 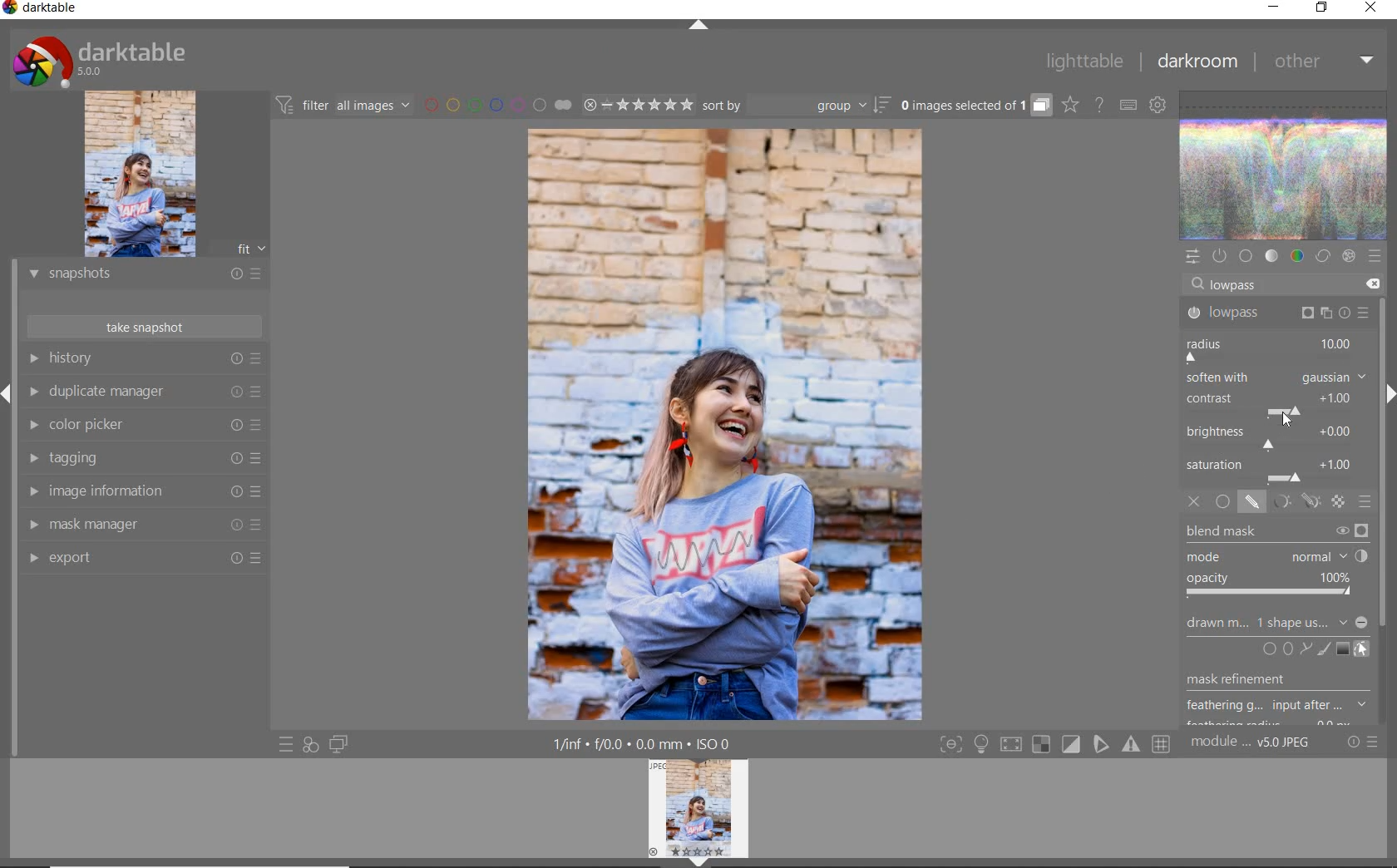 What do you see at coordinates (1370, 283) in the screenshot?
I see `delete` at bounding box center [1370, 283].